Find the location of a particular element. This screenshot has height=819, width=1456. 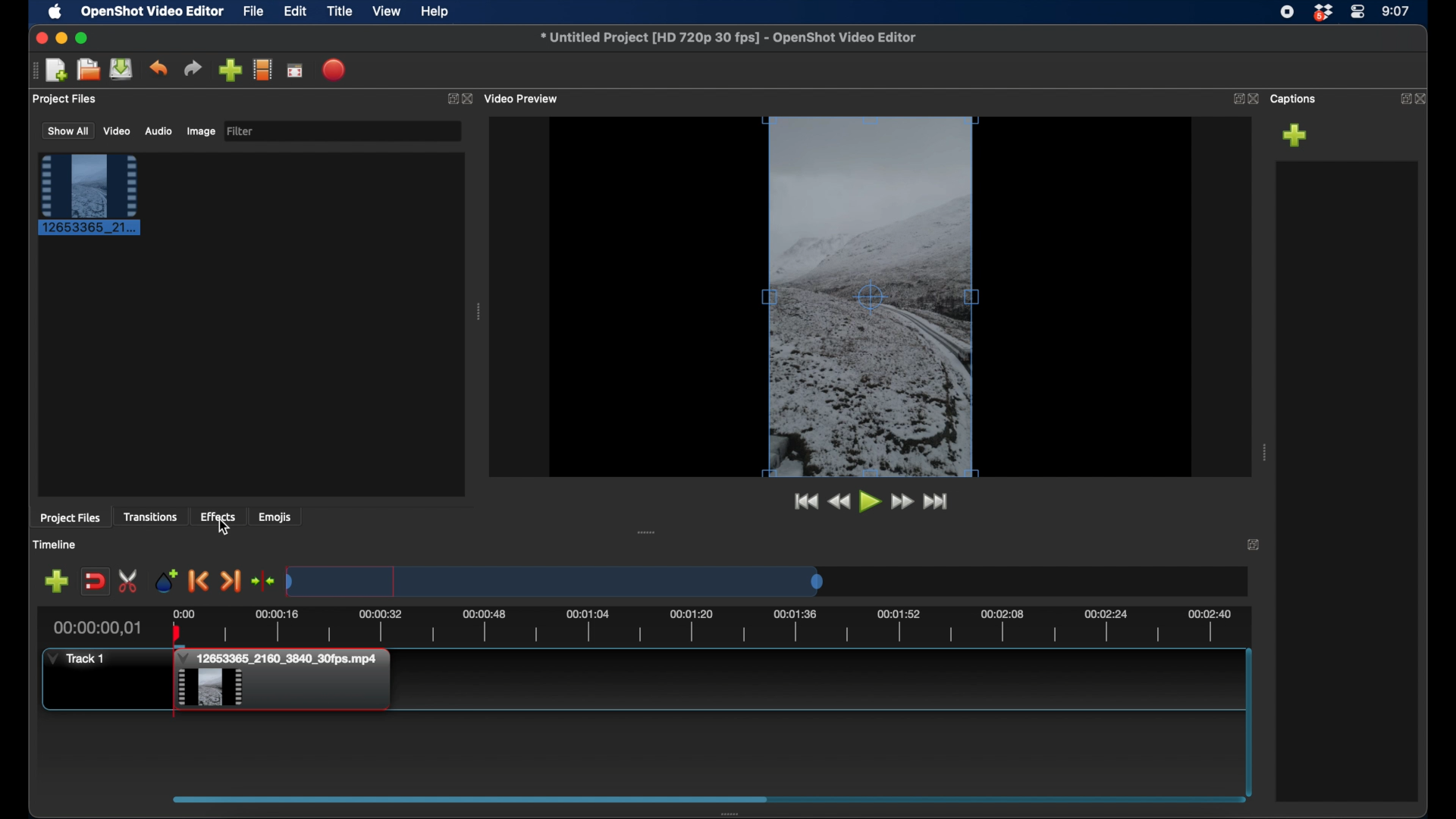

add is located at coordinates (1295, 135).